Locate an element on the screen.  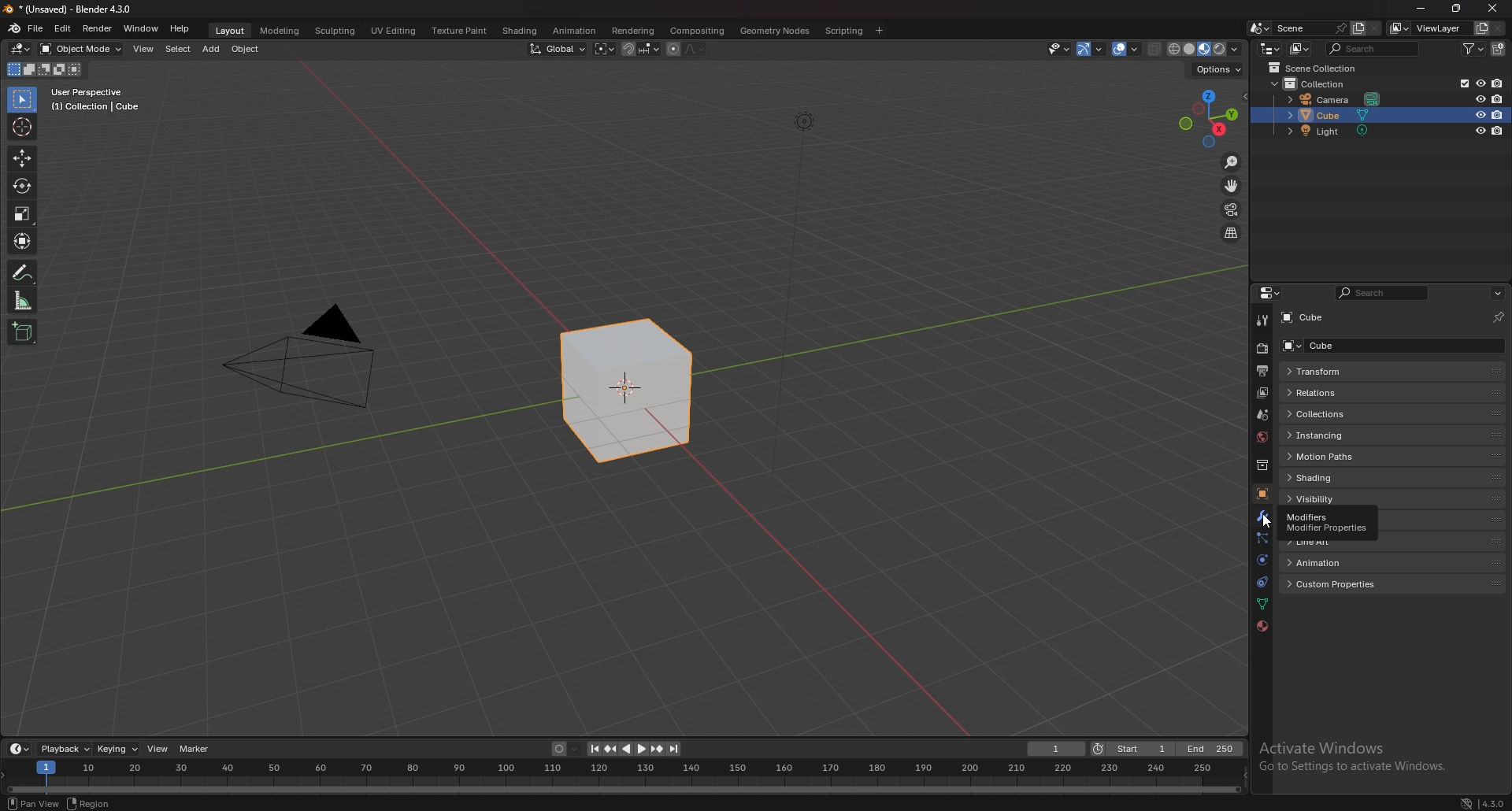
options is located at coordinates (1499, 294).